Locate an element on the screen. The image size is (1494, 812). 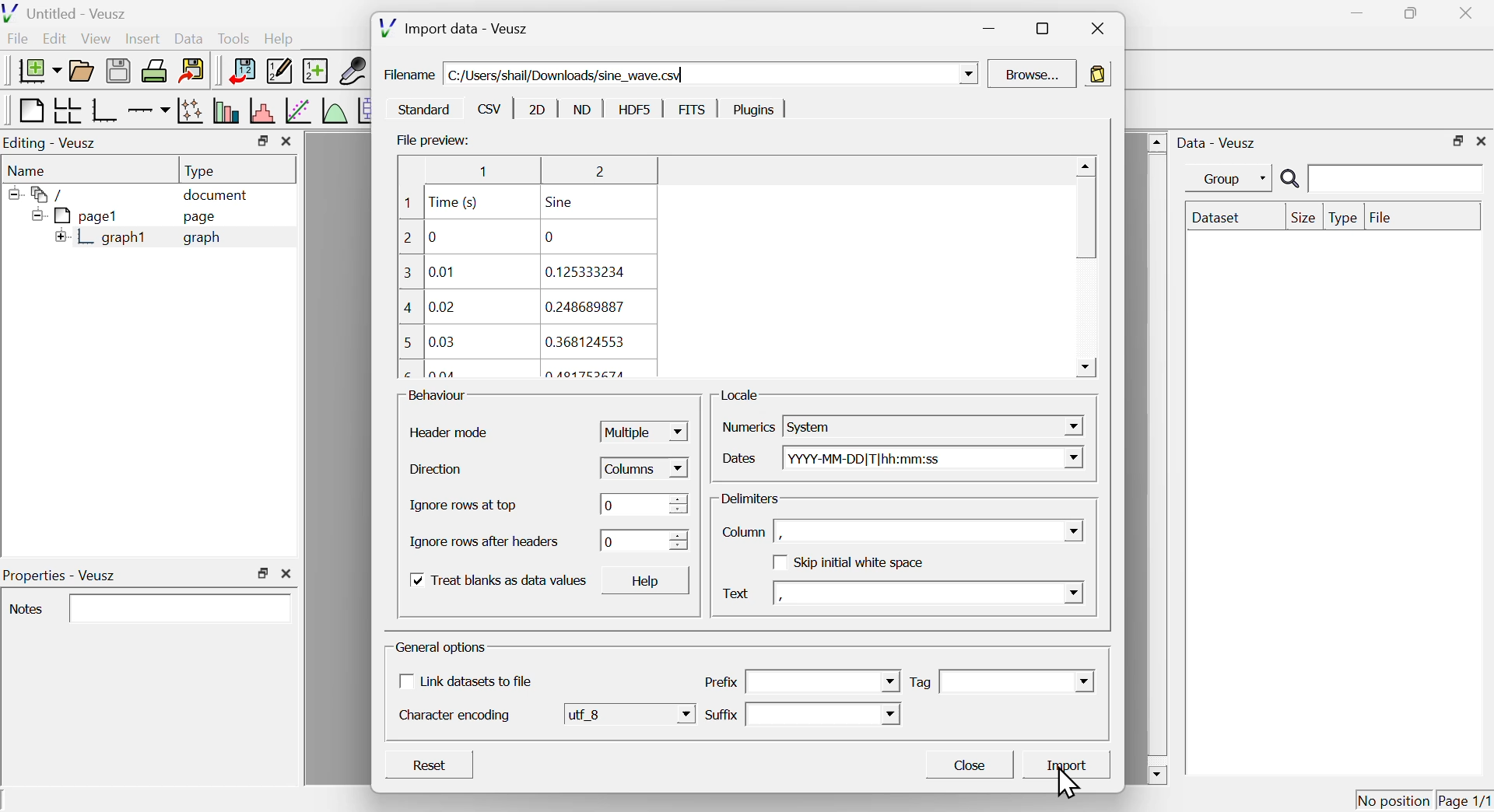
untitled - veusz is located at coordinates (67, 12).